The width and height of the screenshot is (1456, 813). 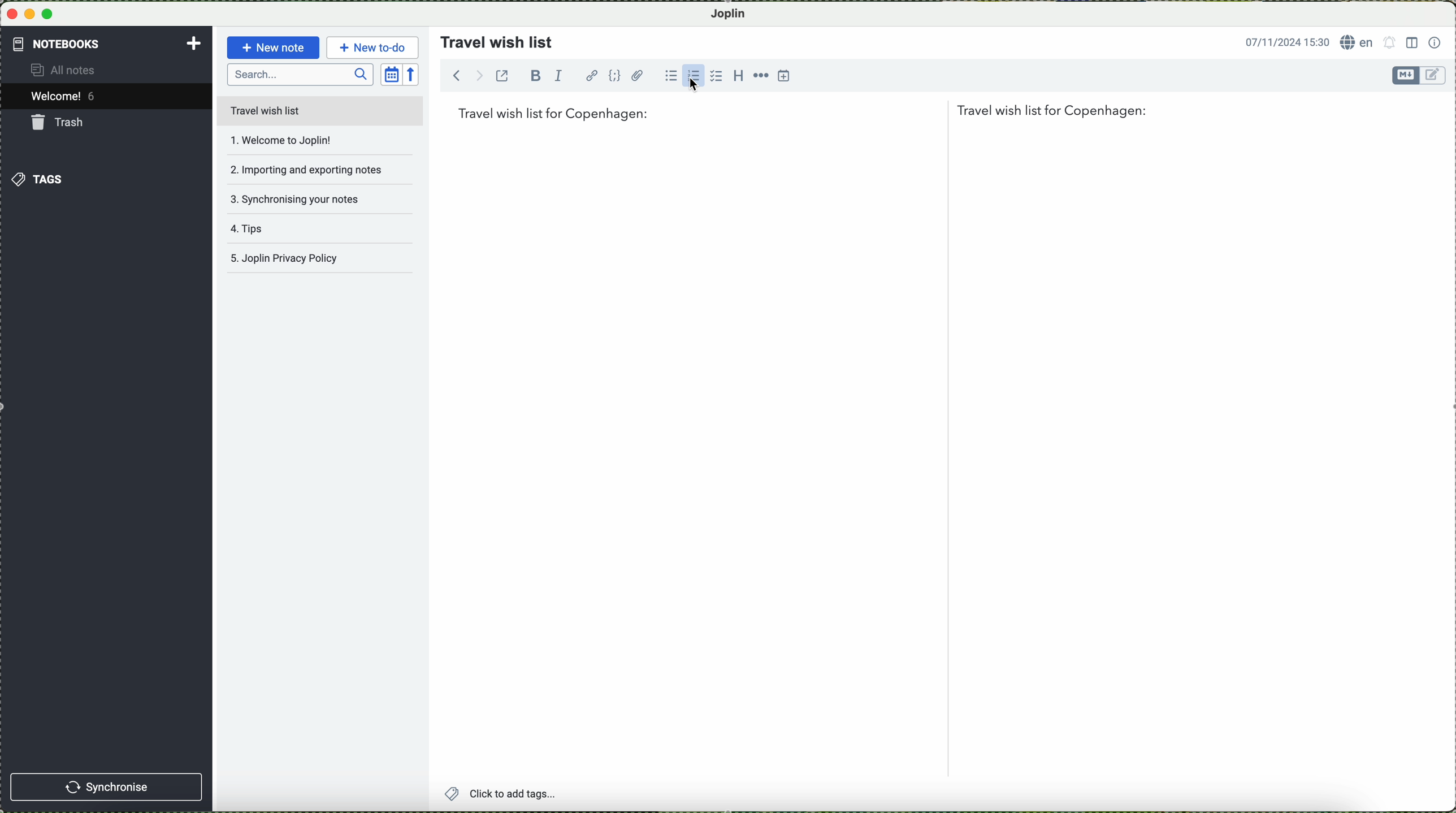 What do you see at coordinates (461, 78) in the screenshot?
I see `navigate` at bounding box center [461, 78].